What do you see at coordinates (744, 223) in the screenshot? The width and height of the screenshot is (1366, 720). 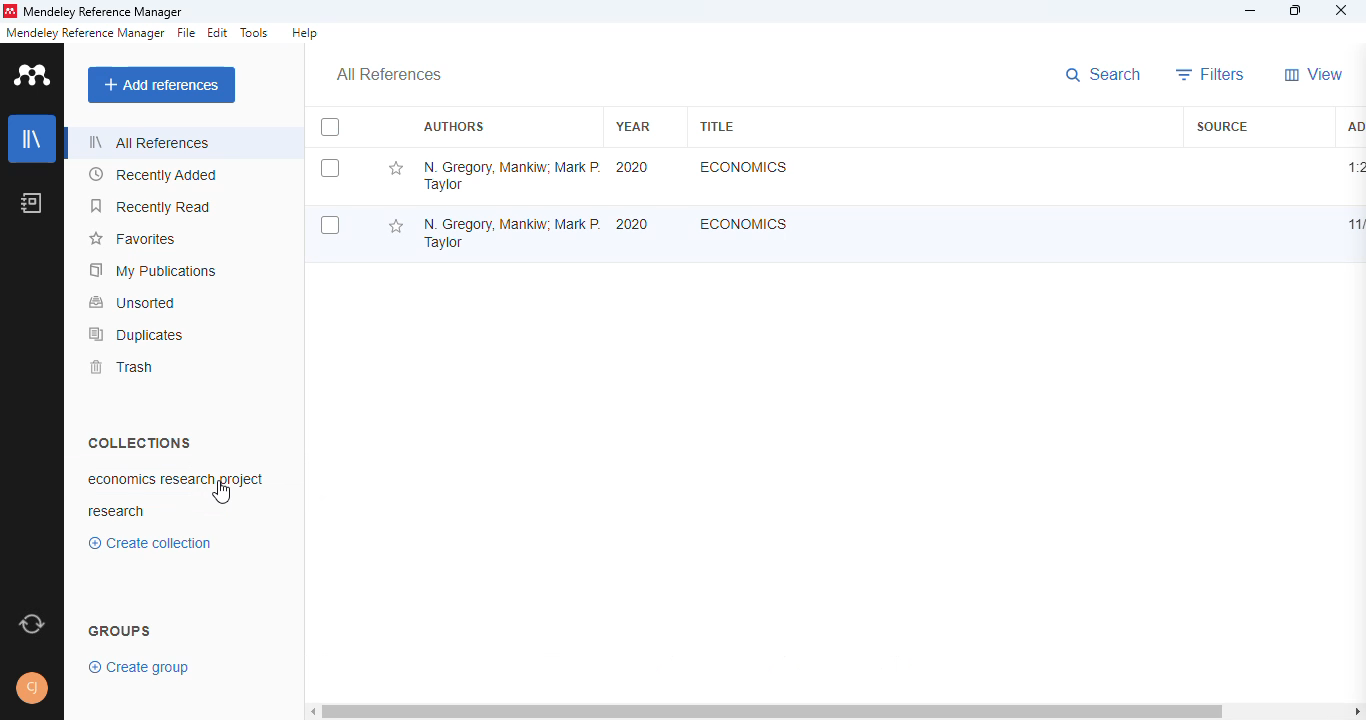 I see `Economics` at bounding box center [744, 223].